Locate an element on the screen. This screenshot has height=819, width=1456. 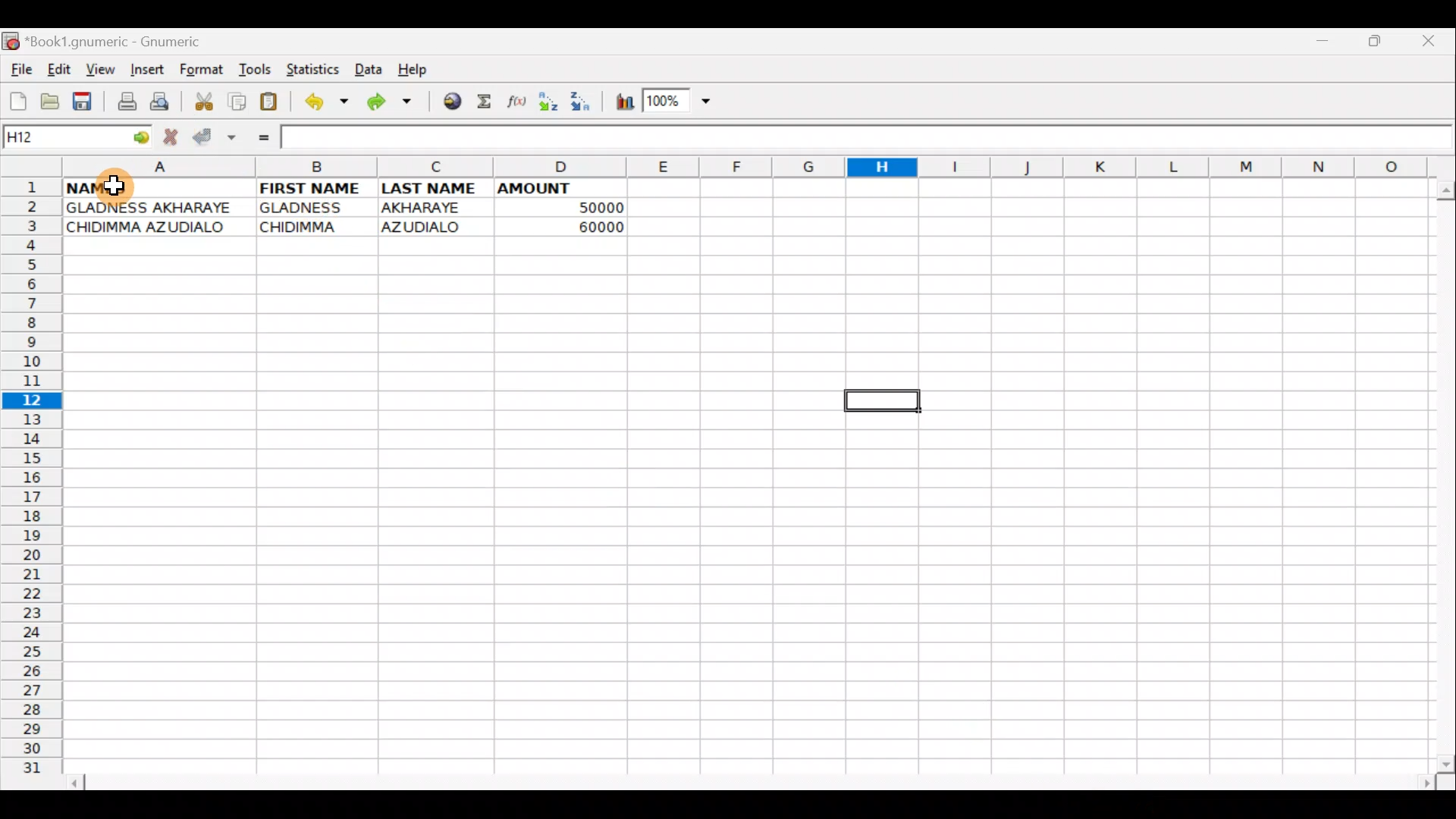
50000 is located at coordinates (578, 209).